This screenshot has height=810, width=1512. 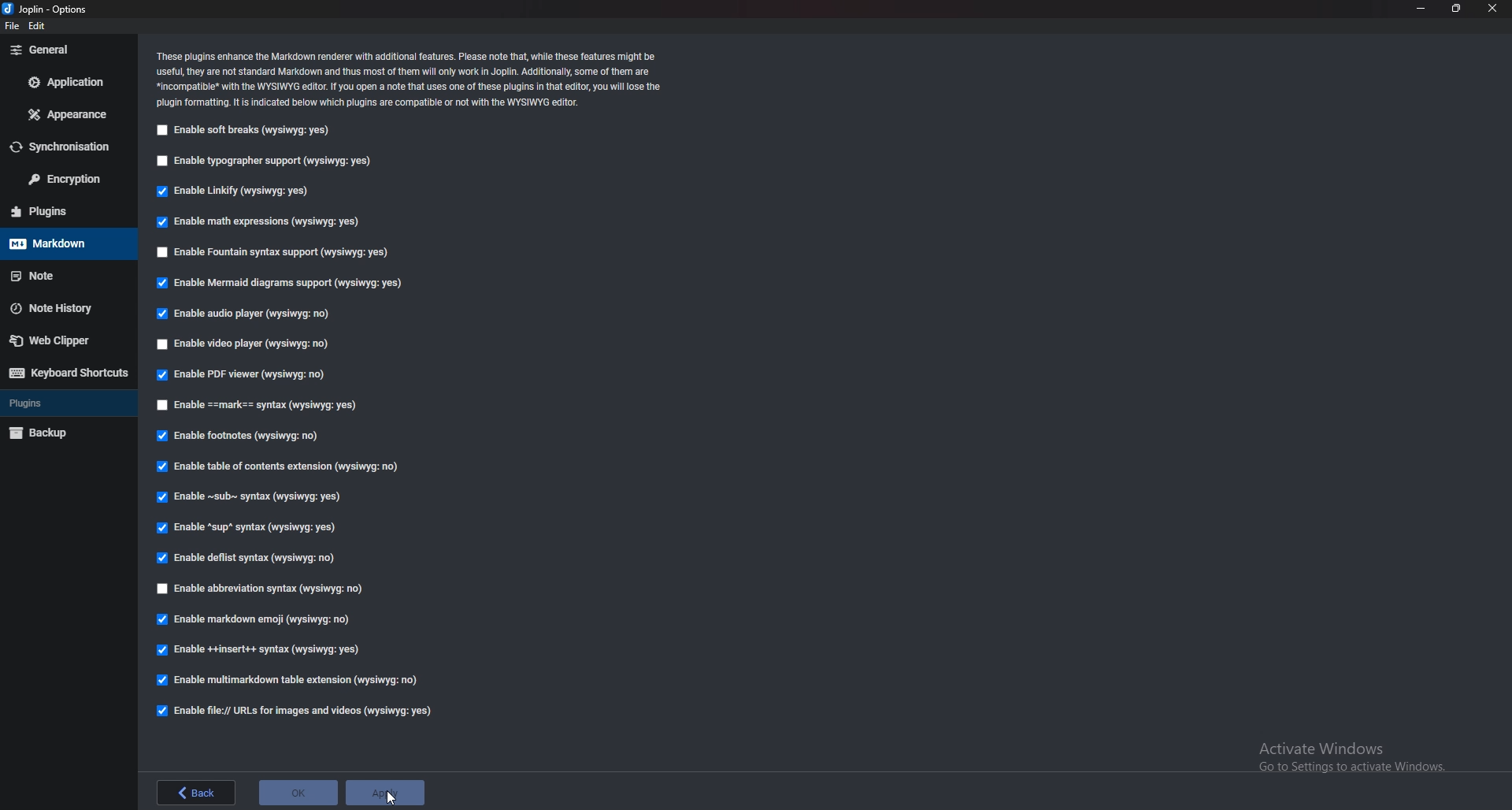 What do you see at coordinates (239, 374) in the screenshot?
I see `Enable P D F viewer` at bounding box center [239, 374].